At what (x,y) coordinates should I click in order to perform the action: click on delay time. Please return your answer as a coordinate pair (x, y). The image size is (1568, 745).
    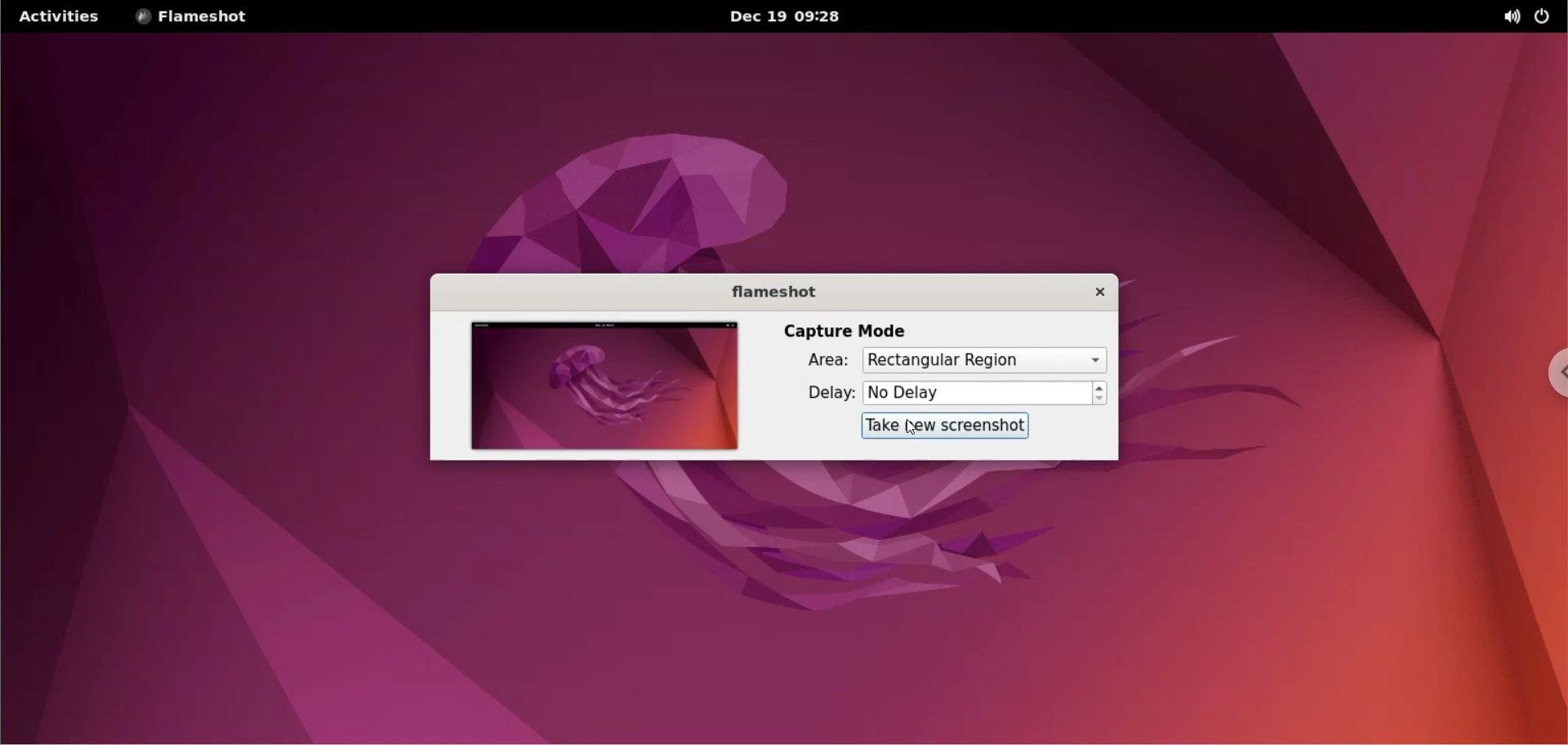
    Looking at the image, I should click on (978, 393).